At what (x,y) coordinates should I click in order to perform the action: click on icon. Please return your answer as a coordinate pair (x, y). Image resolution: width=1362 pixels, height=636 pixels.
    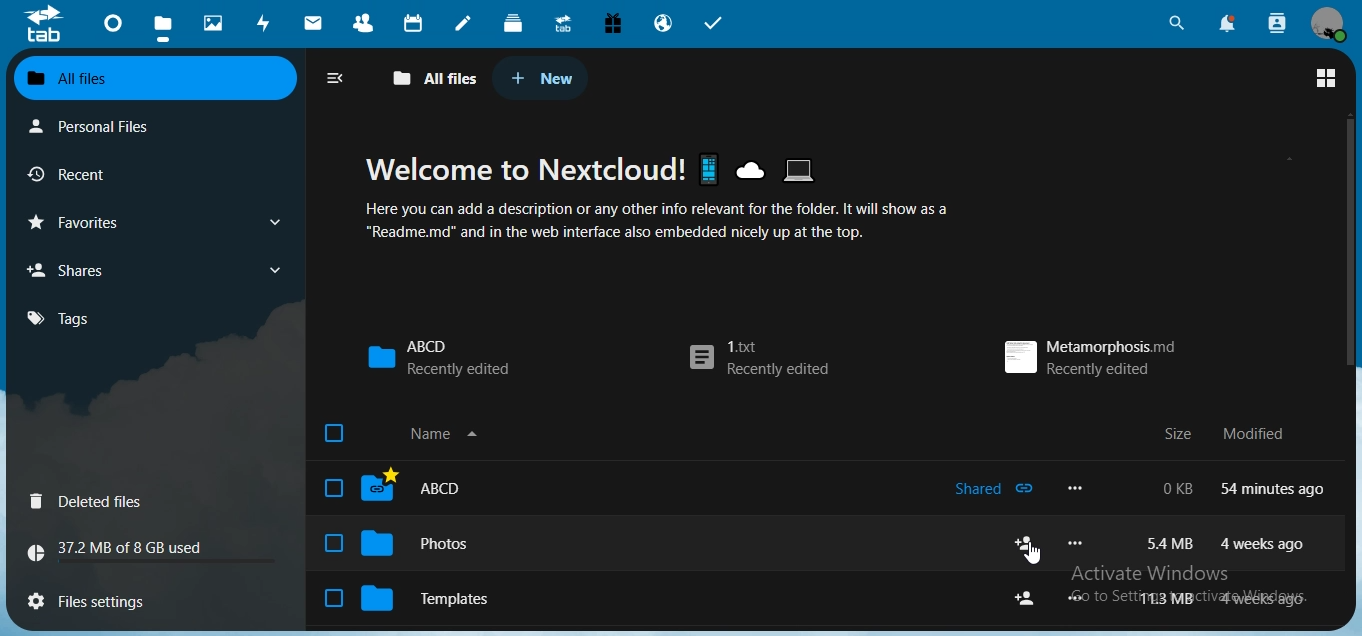
    Looking at the image, I should click on (43, 23).